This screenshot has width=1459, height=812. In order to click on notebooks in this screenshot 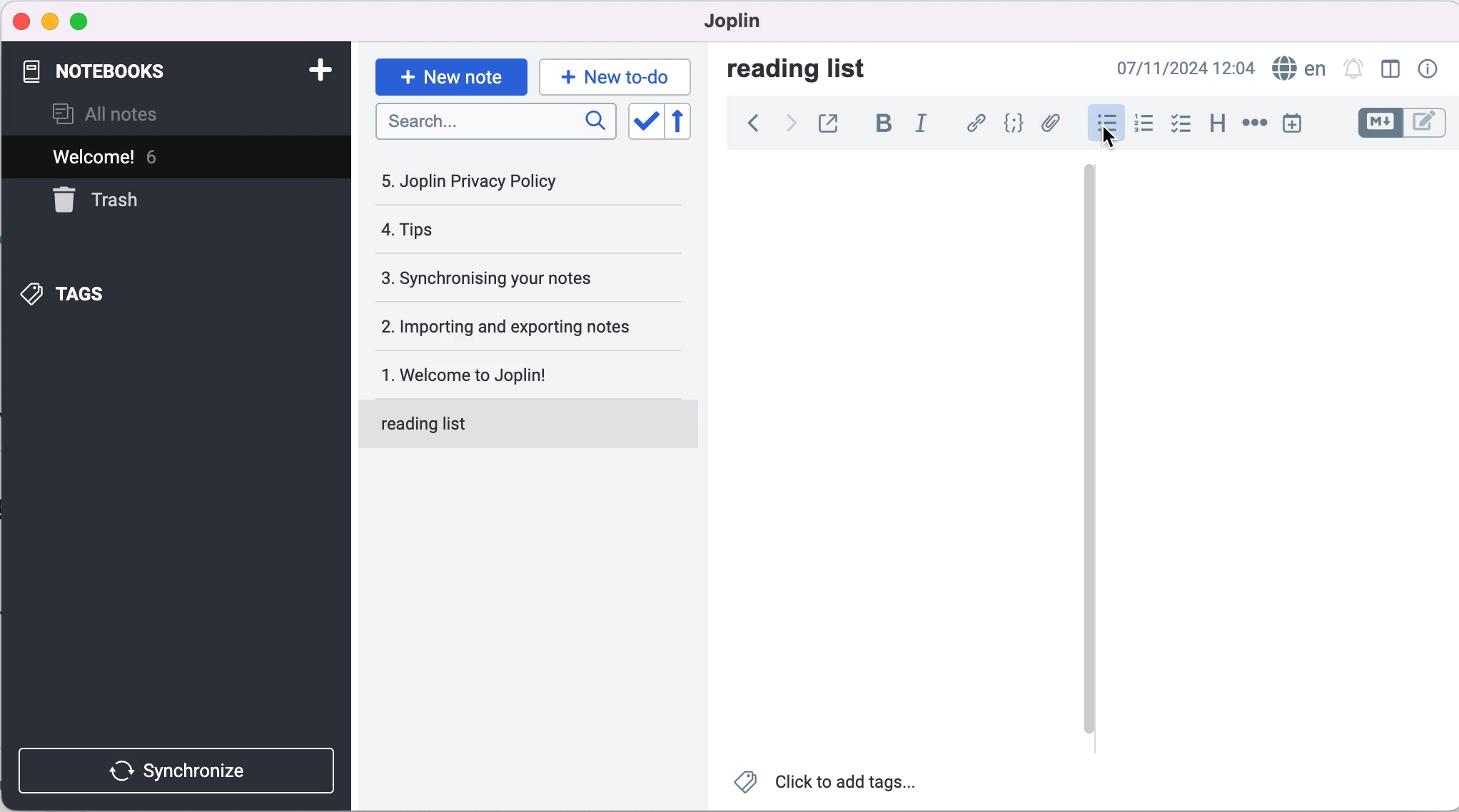, I will do `click(158, 71)`.